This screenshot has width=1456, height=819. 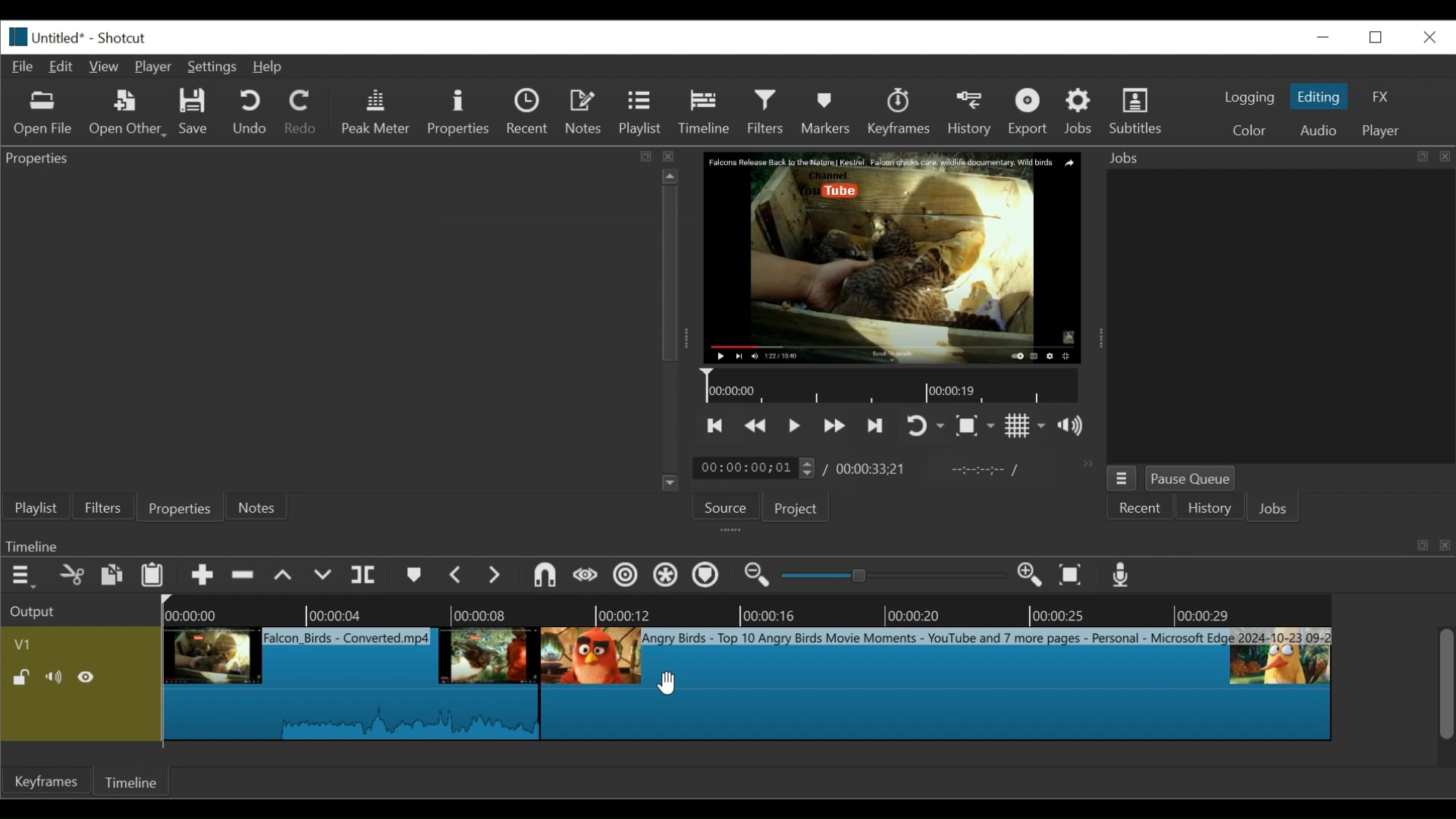 What do you see at coordinates (1376, 36) in the screenshot?
I see `Restore` at bounding box center [1376, 36].